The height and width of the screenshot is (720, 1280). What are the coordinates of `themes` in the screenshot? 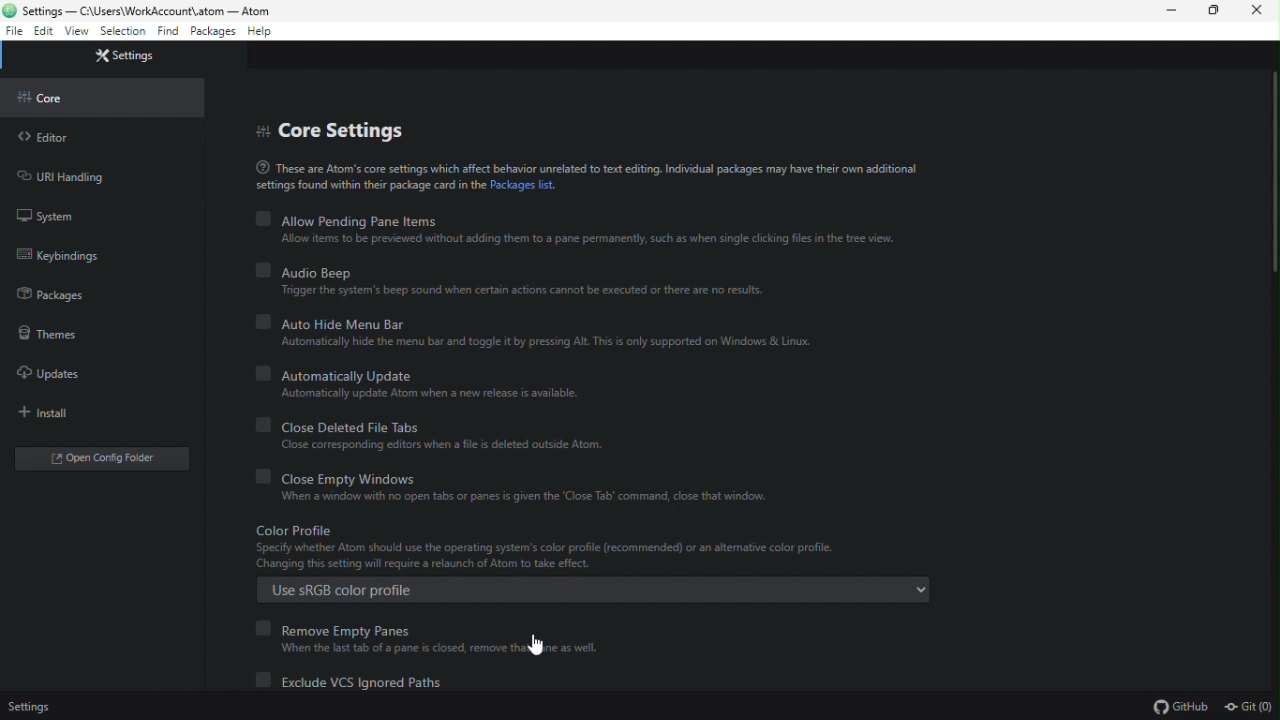 It's located at (50, 332).